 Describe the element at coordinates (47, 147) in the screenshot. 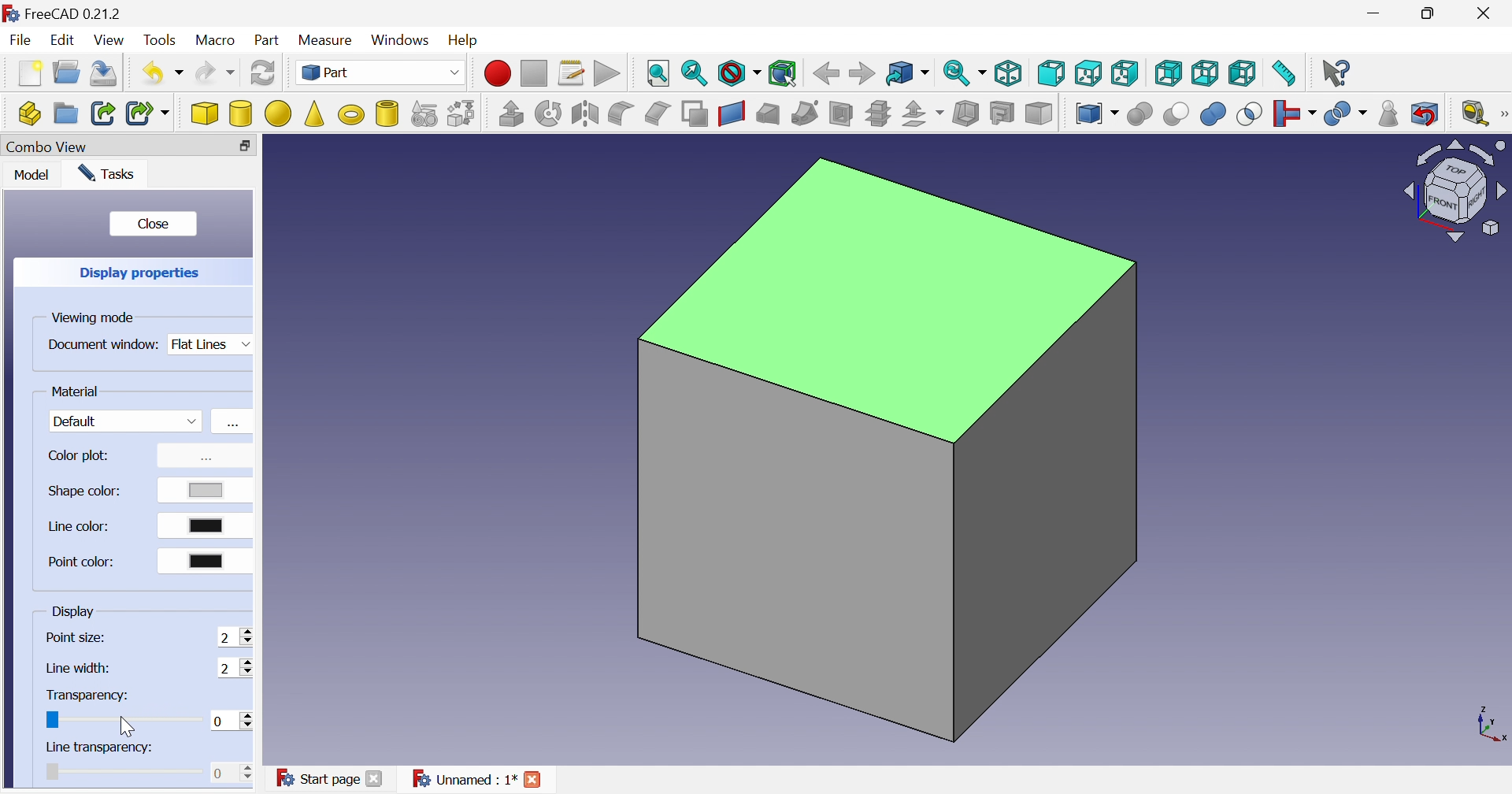

I see `Combo View` at that location.